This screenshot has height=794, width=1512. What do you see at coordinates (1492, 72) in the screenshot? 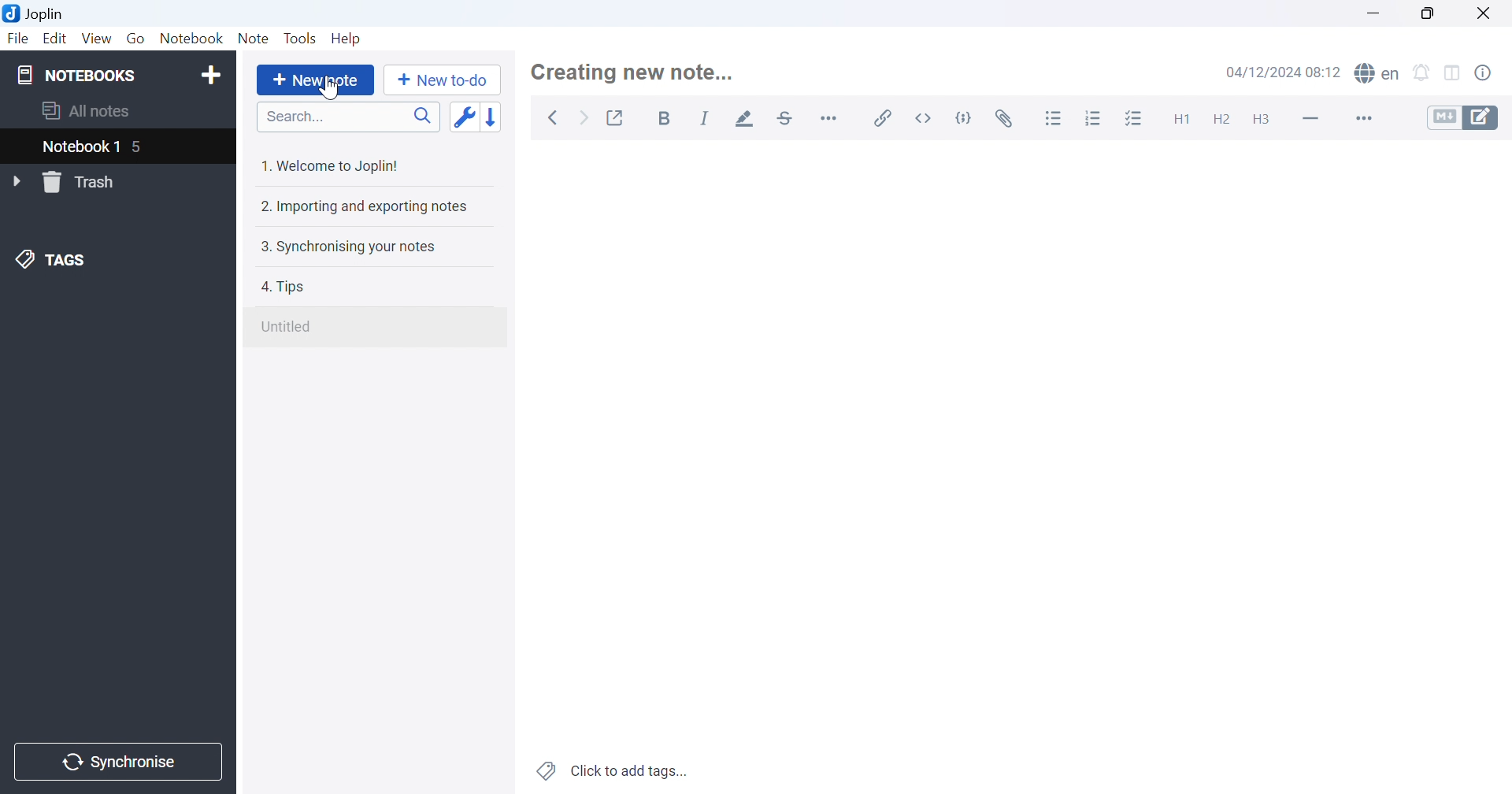
I see `Note properties` at bounding box center [1492, 72].